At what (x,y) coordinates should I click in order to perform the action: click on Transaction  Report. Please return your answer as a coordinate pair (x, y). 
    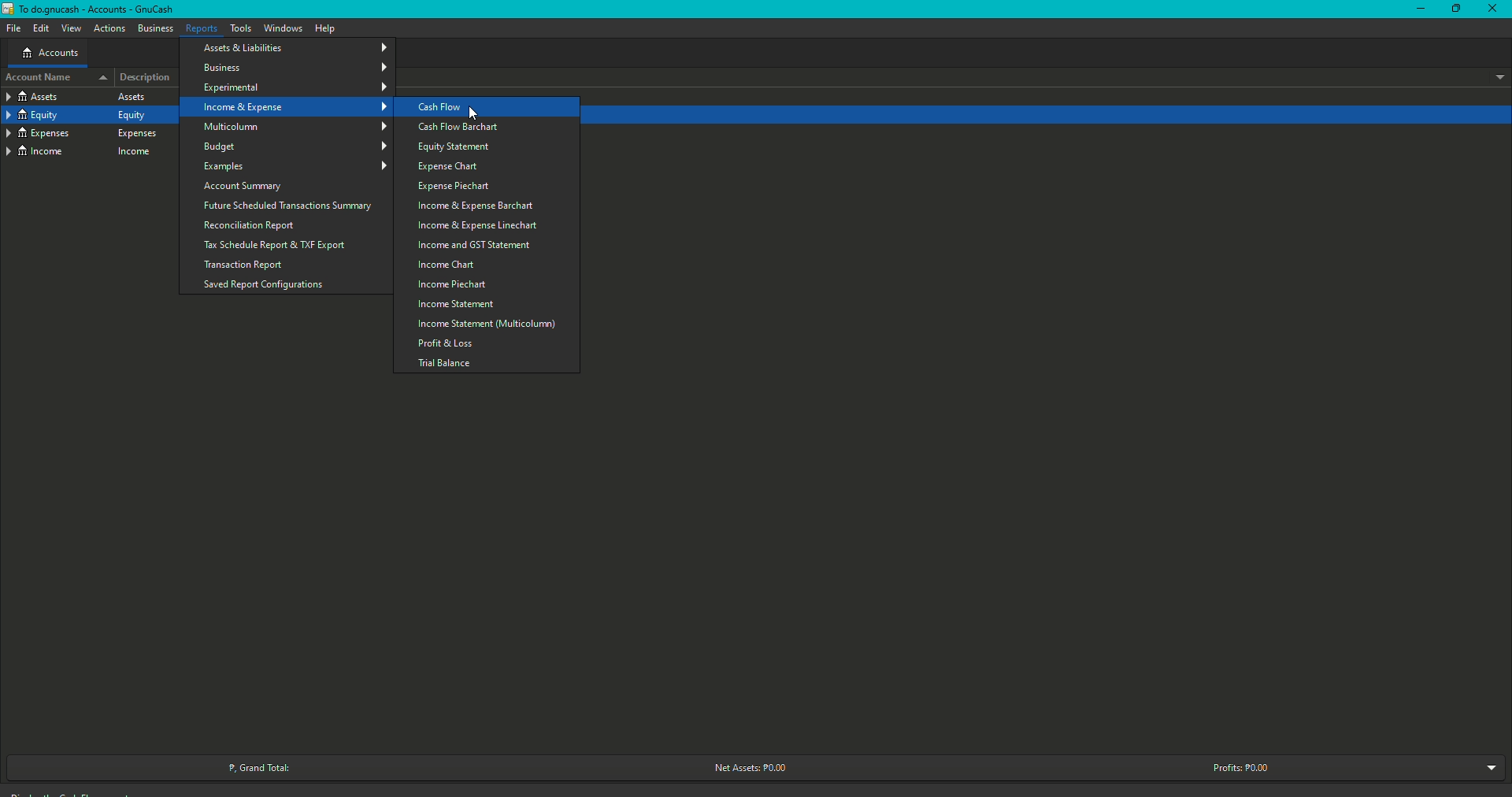
    Looking at the image, I should click on (243, 266).